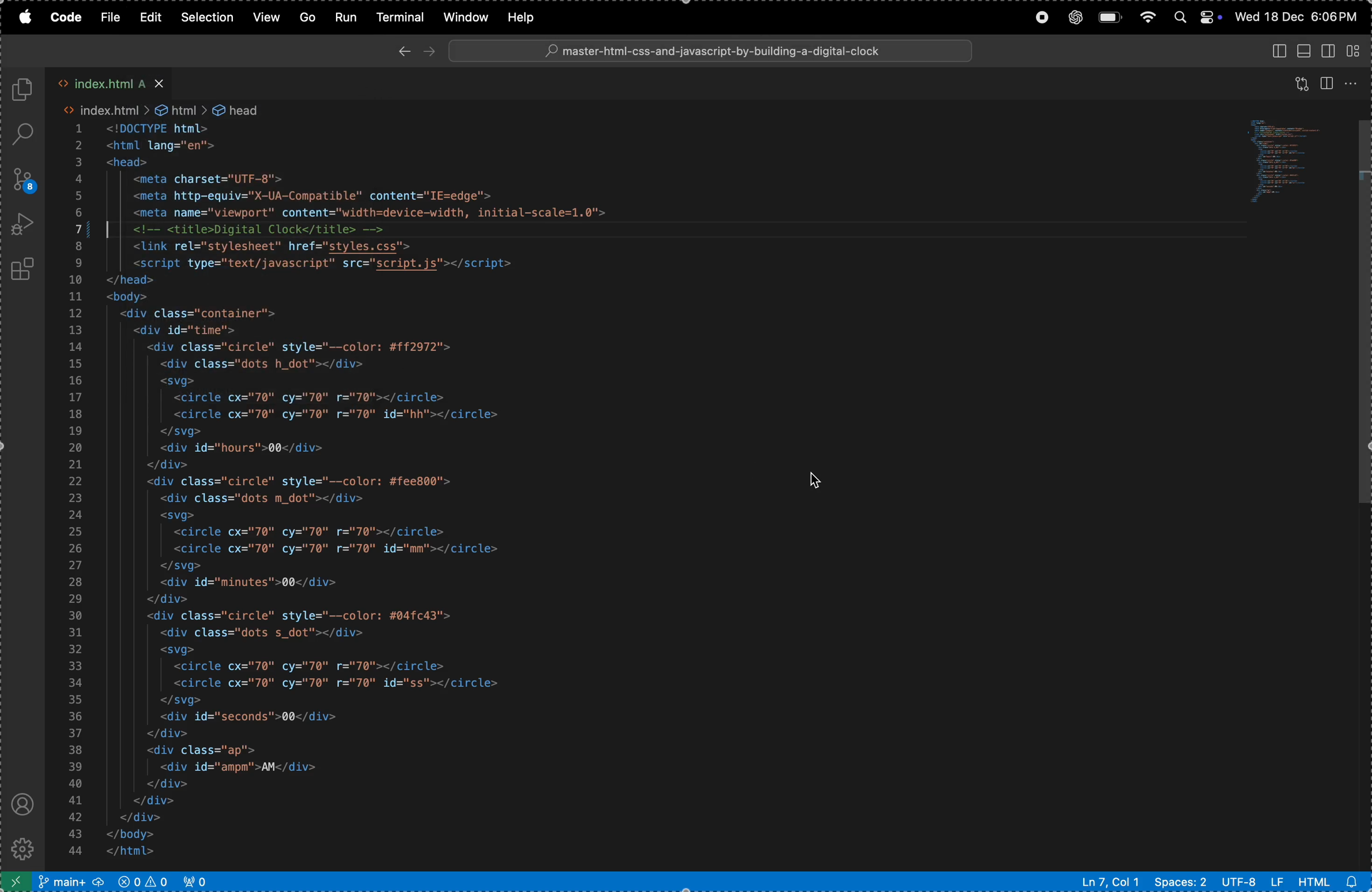 The height and width of the screenshot is (892, 1372). Describe the element at coordinates (66, 18) in the screenshot. I see `code` at that location.